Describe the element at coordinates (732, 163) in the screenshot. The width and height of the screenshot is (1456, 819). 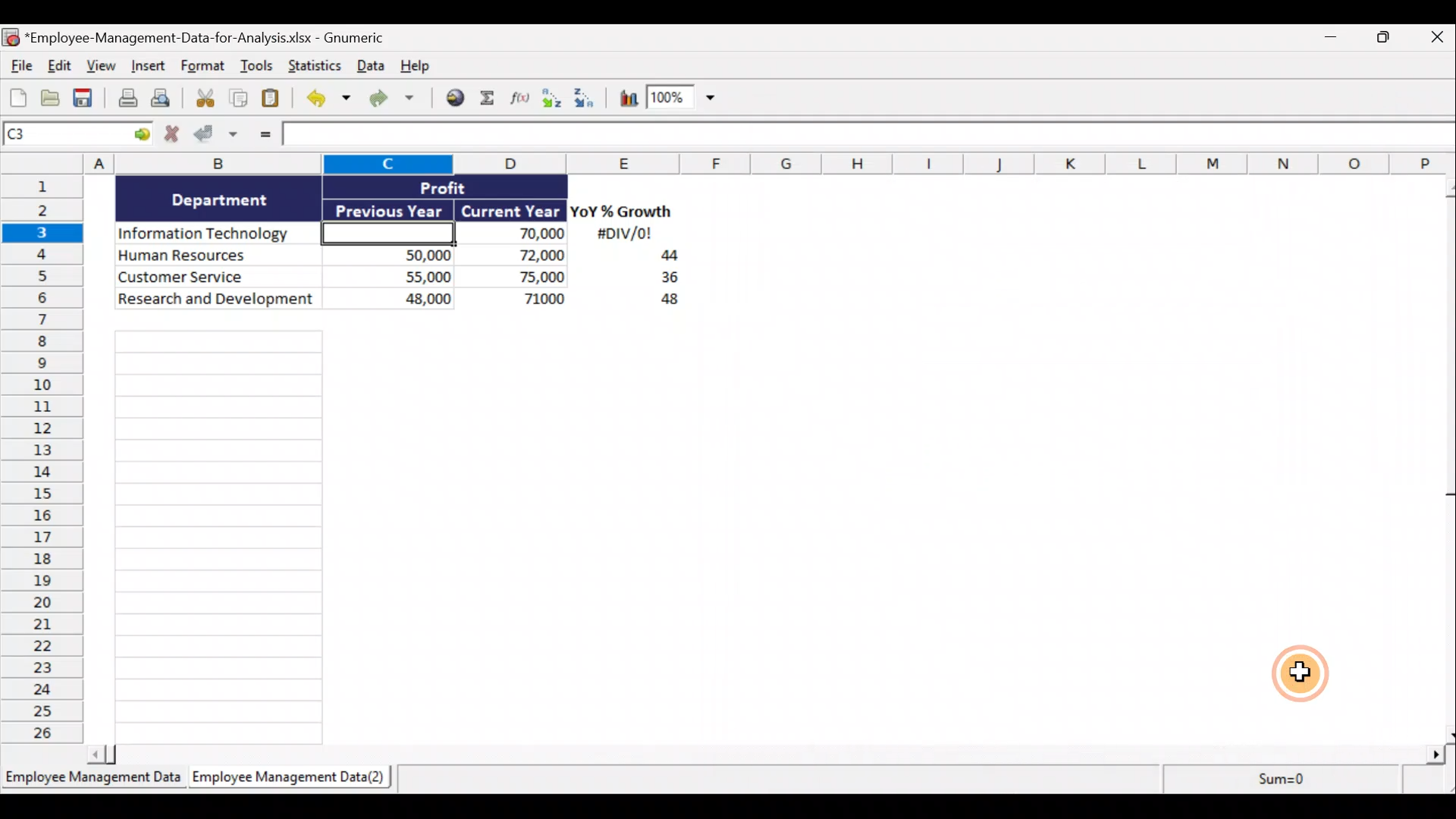
I see `Columns` at that location.